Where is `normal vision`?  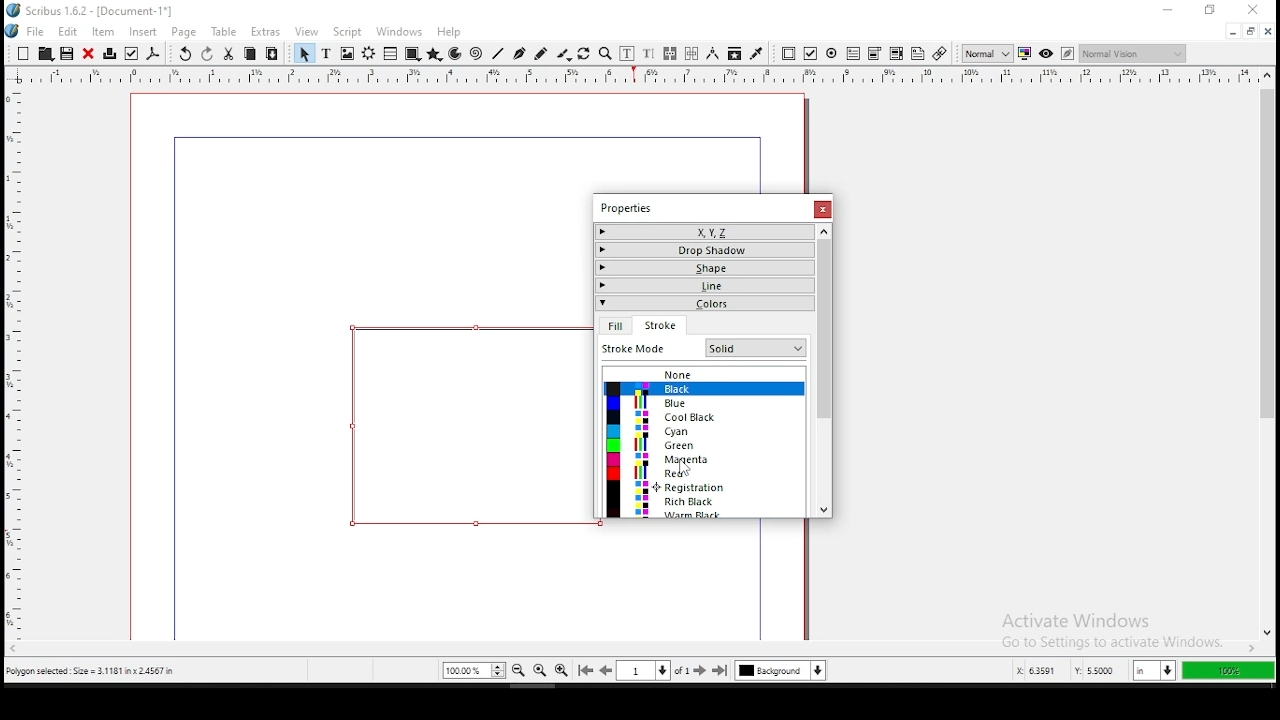 normal vision is located at coordinates (1133, 54).